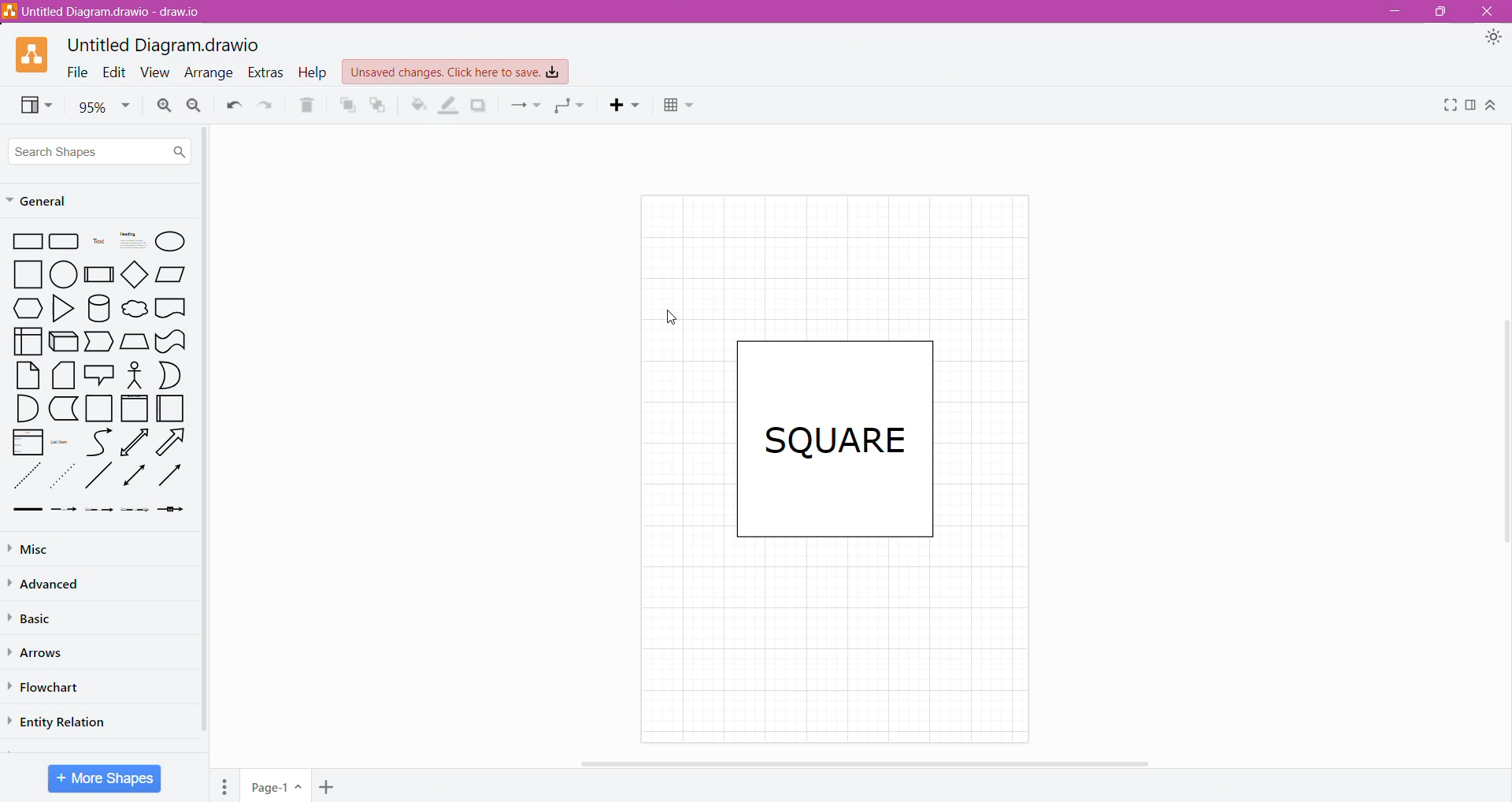 The image size is (1512, 802). Describe the element at coordinates (62, 410) in the screenshot. I see `L-Shaped Rectangle ` at that location.